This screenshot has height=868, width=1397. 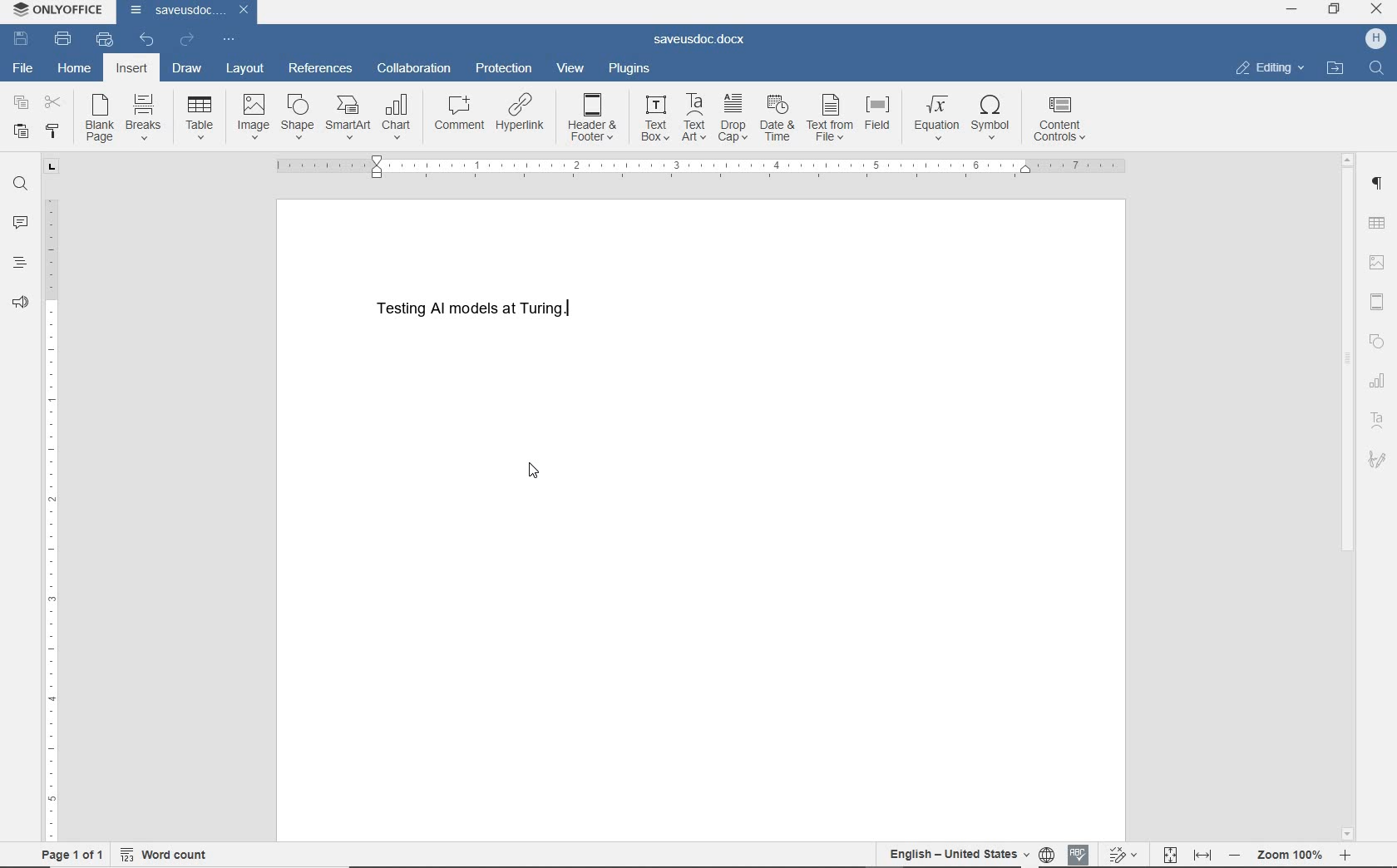 What do you see at coordinates (1271, 67) in the screenshot?
I see `editing` at bounding box center [1271, 67].